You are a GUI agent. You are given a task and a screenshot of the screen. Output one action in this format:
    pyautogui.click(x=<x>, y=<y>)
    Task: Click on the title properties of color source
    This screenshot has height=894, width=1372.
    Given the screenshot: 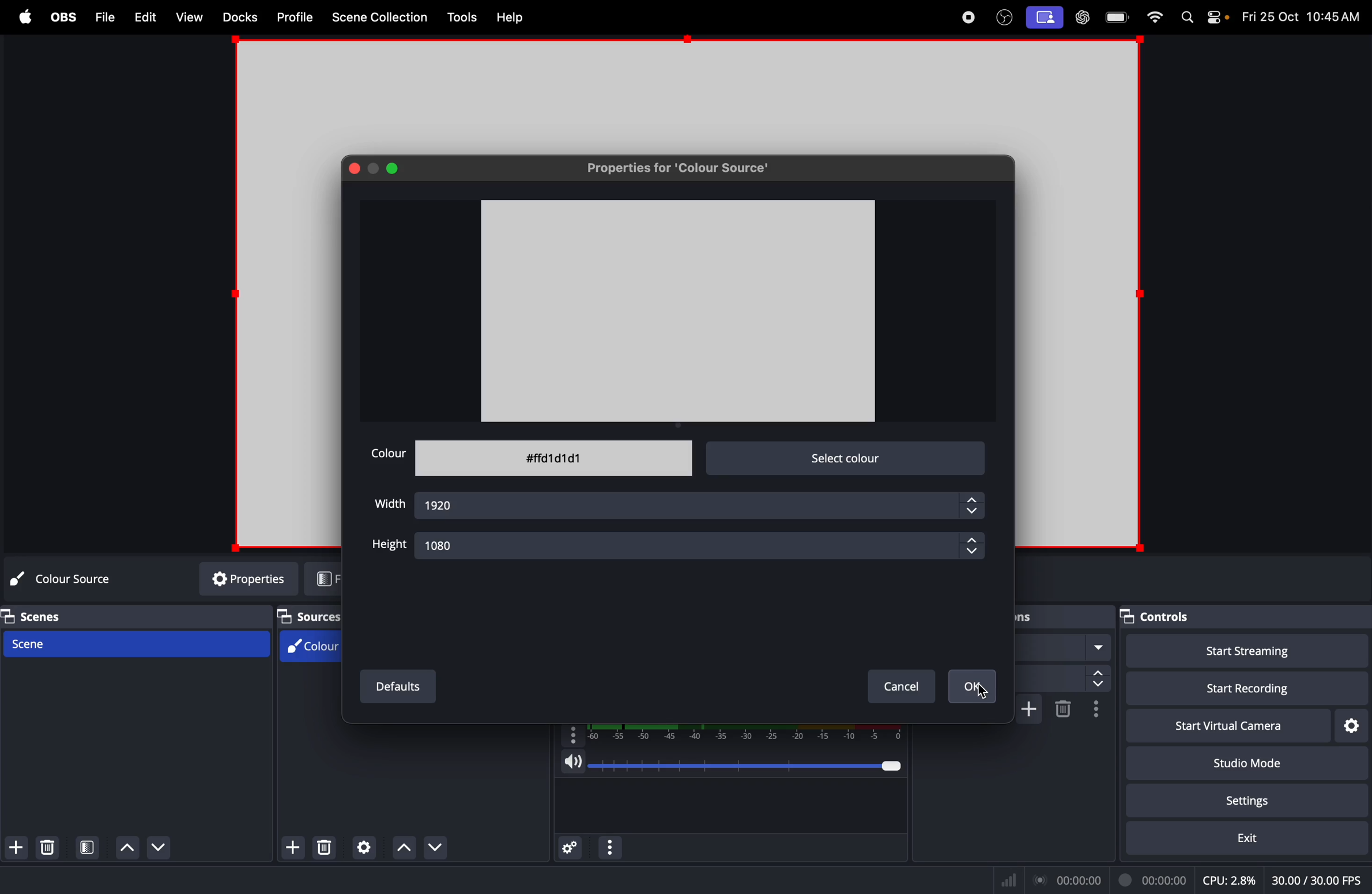 What is the action you would take?
    pyautogui.click(x=680, y=167)
    